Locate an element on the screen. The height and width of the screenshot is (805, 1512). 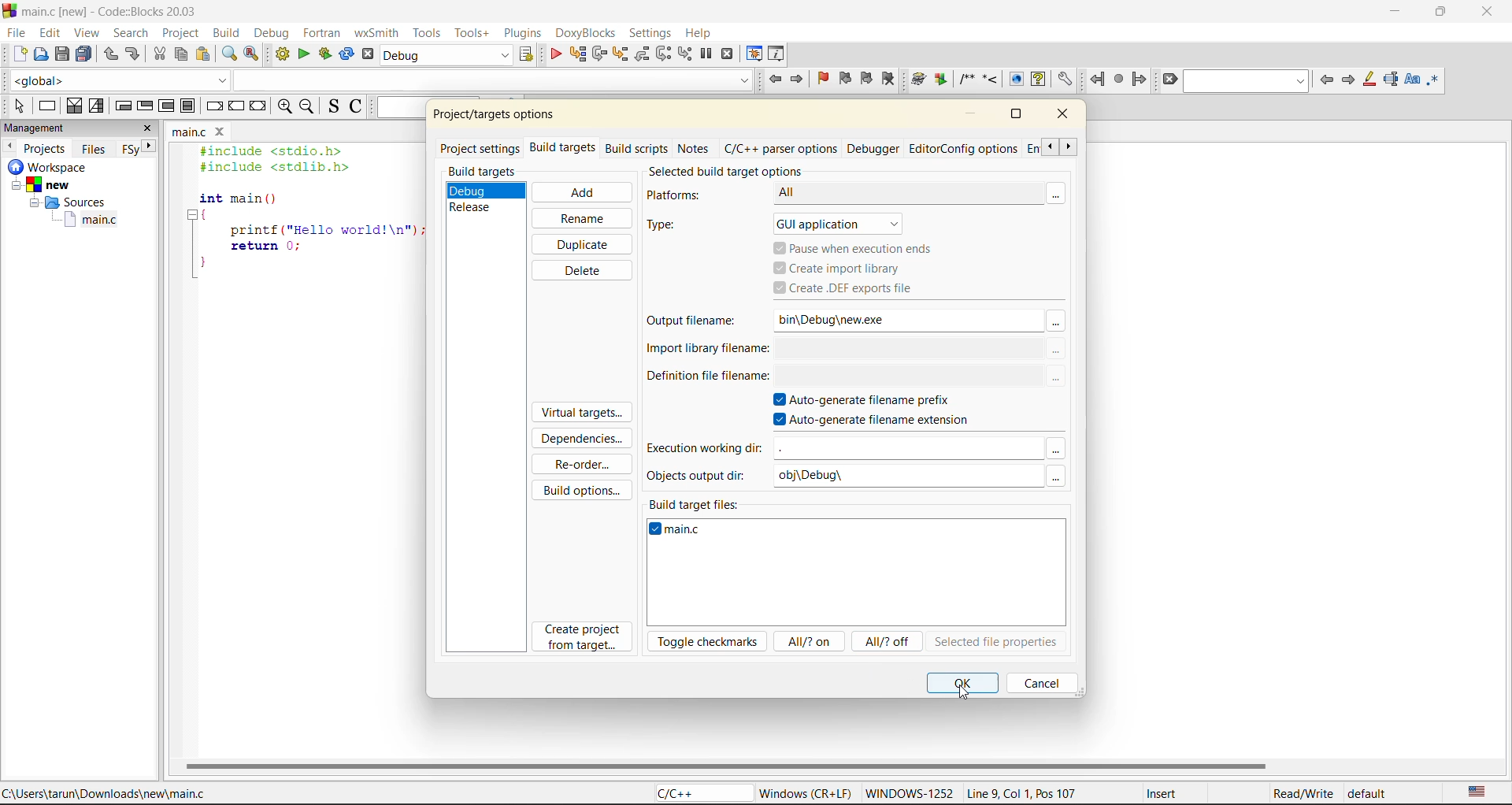
maximize is located at coordinates (1445, 14).